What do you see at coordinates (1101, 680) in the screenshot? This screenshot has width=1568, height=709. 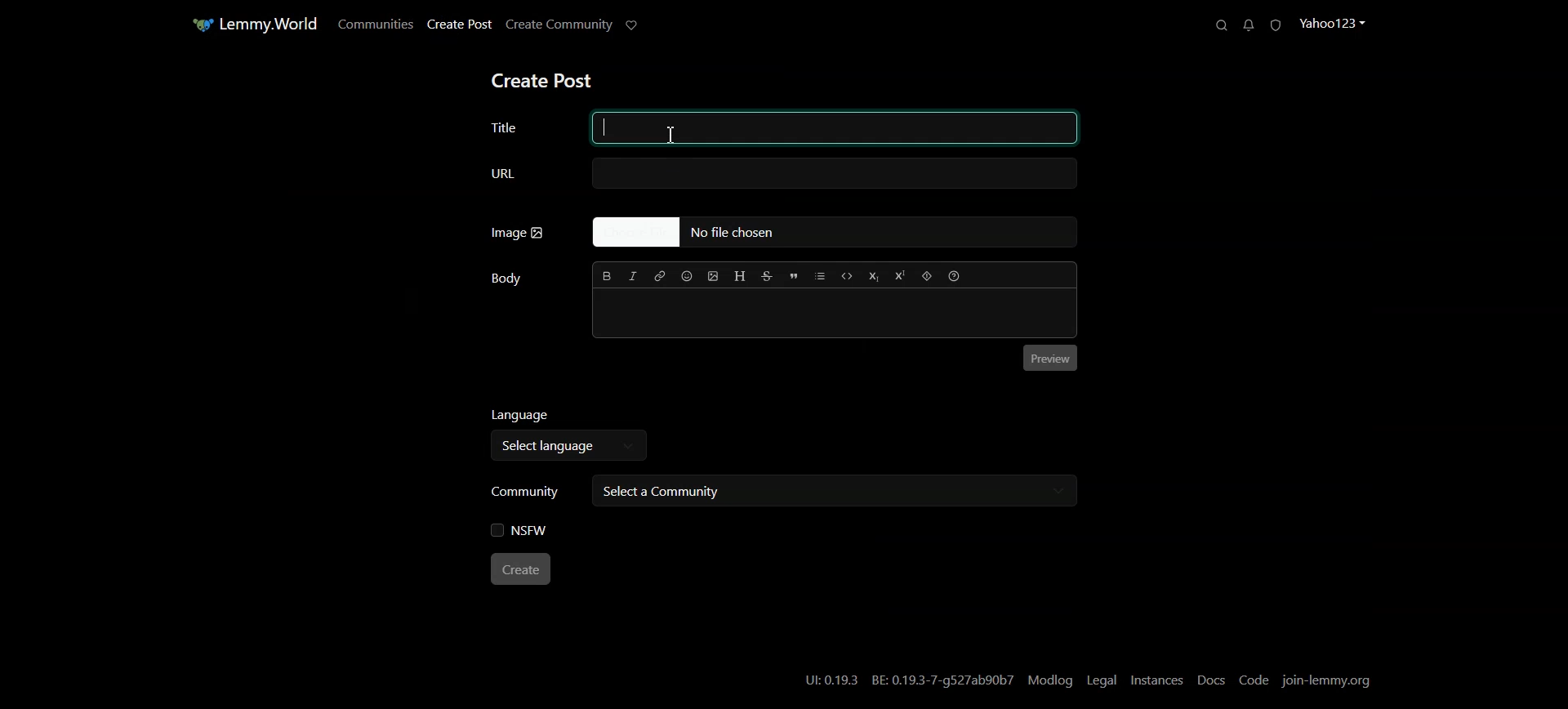 I see `Legal` at bounding box center [1101, 680].